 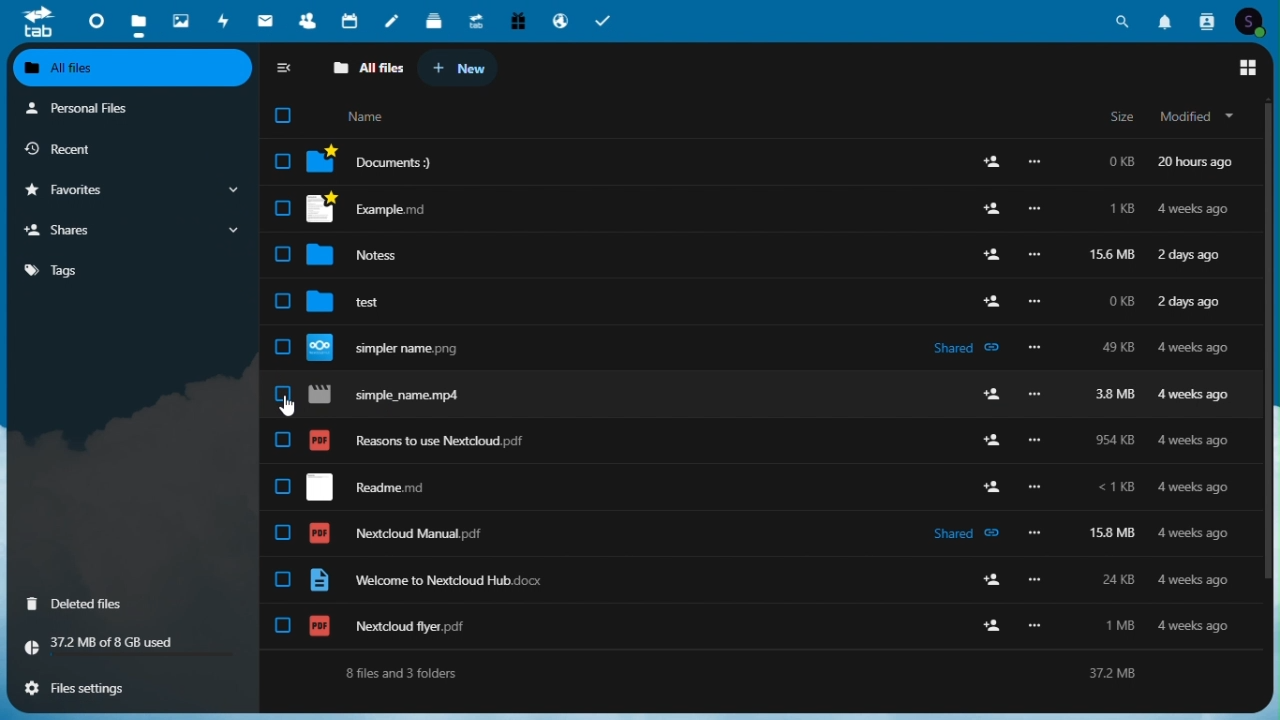 I want to click on Favourite, so click(x=131, y=190).